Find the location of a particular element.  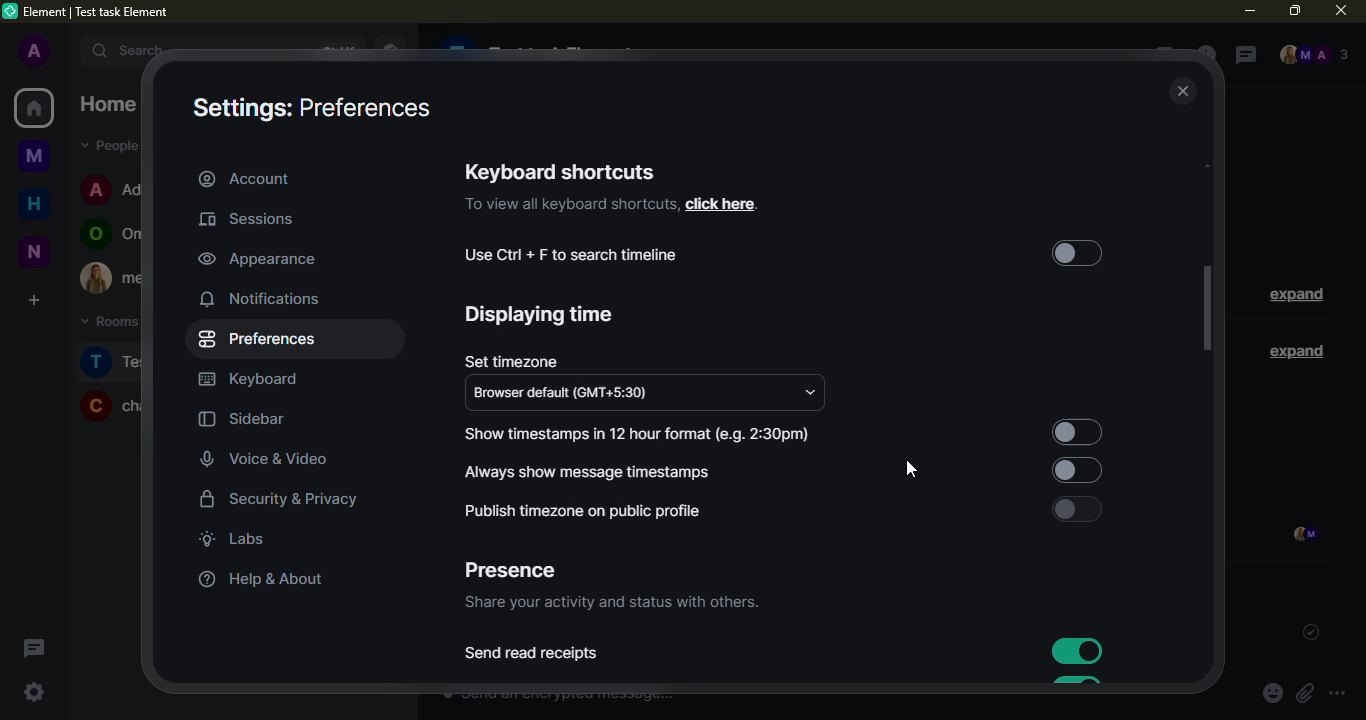

threads is located at coordinates (32, 647).